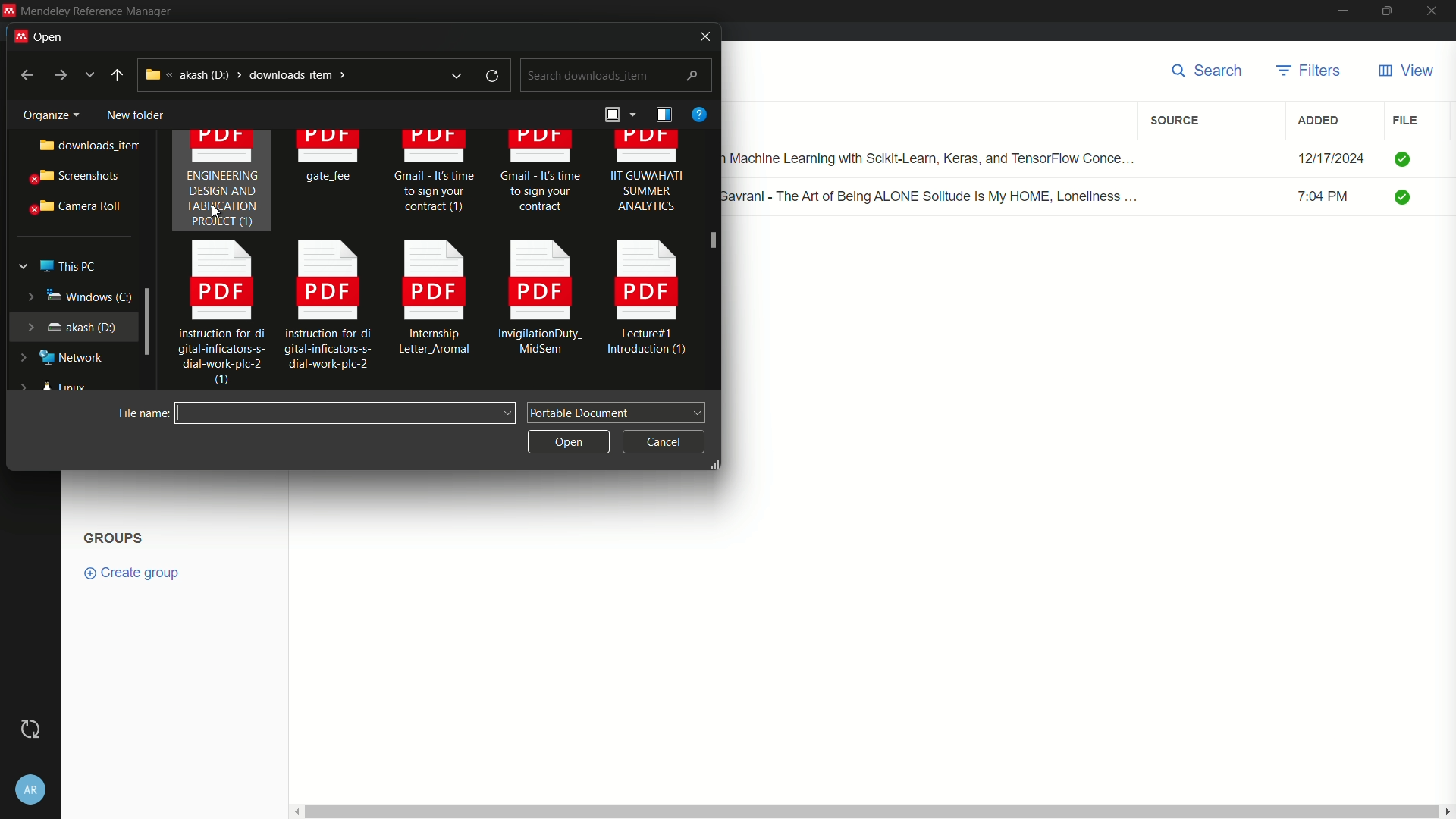  I want to click on this pc, so click(67, 263).